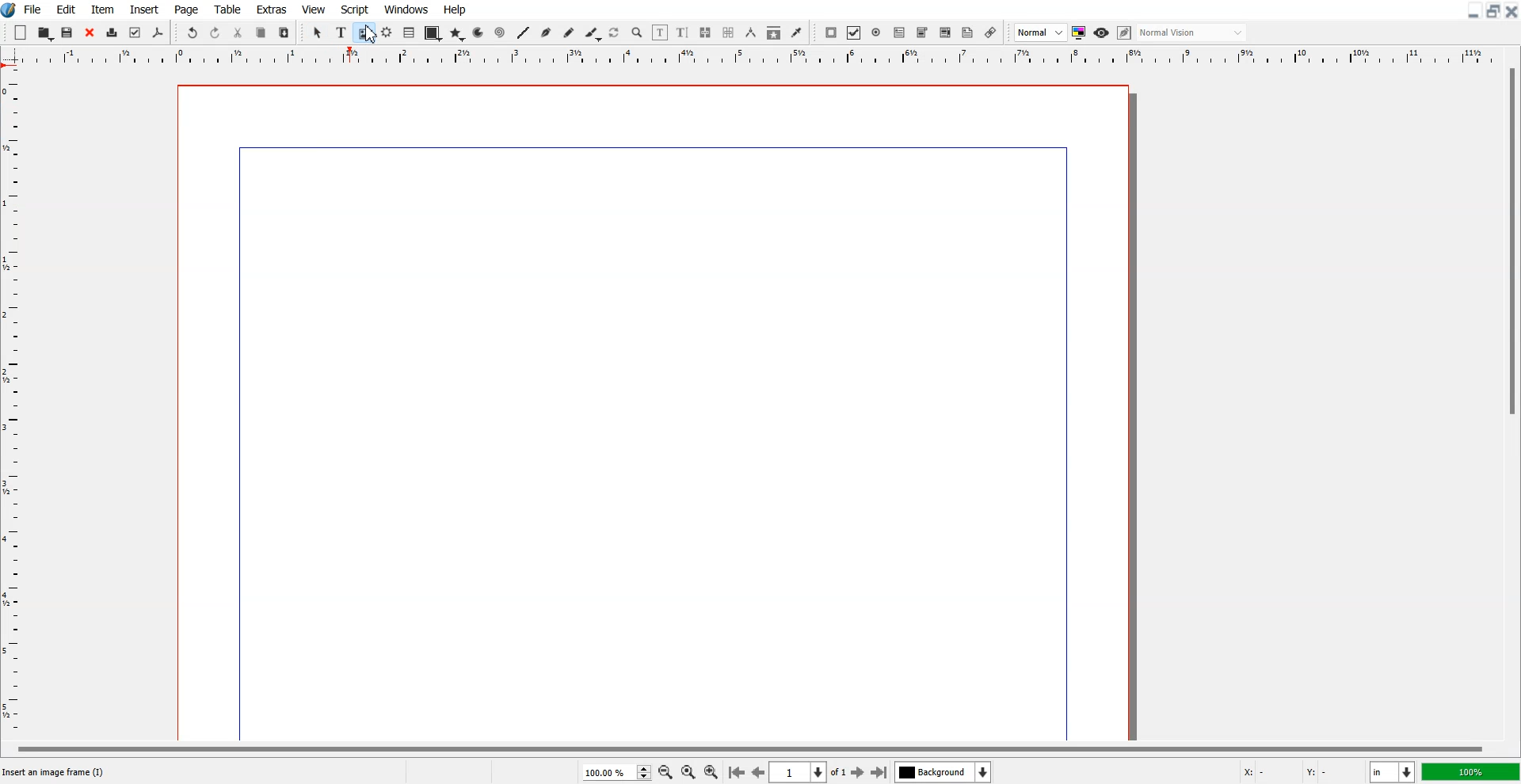  I want to click on Arc, so click(479, 32).